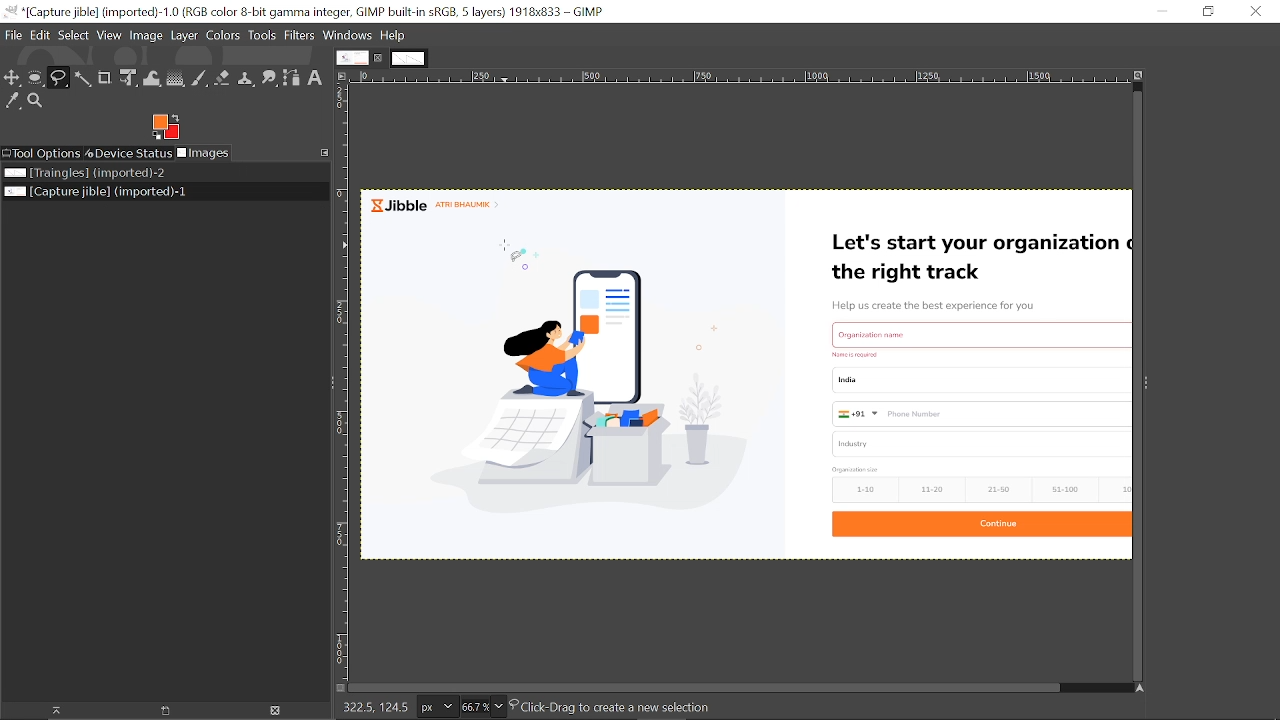  Describe the element at coordinates (435, 708) in the screenshot. I see `Current image units` at that location.